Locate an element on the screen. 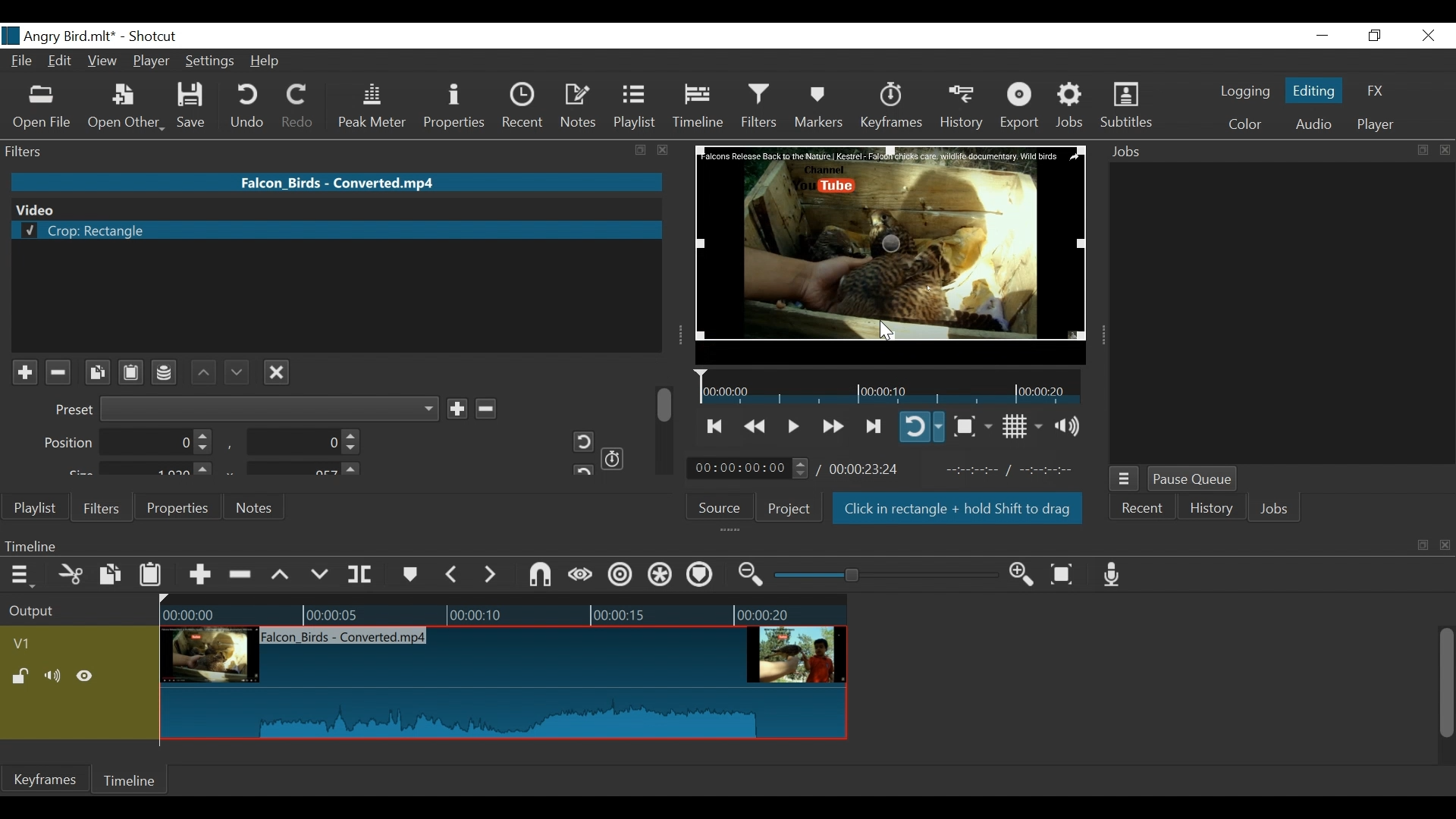  Jobs Menu is located at coordinates (1122, 480).